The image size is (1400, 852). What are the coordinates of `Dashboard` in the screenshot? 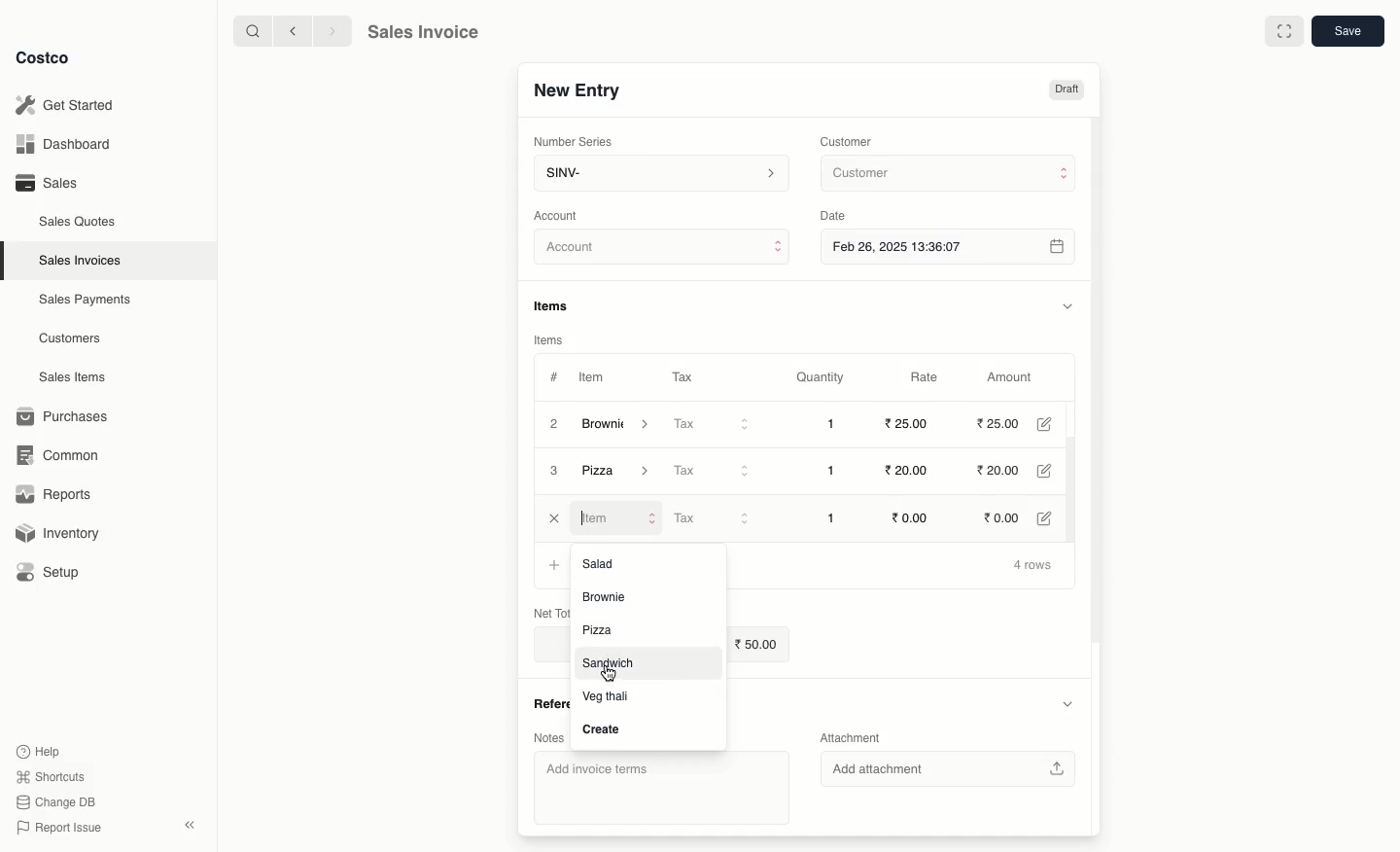 It's located at (60, 145).